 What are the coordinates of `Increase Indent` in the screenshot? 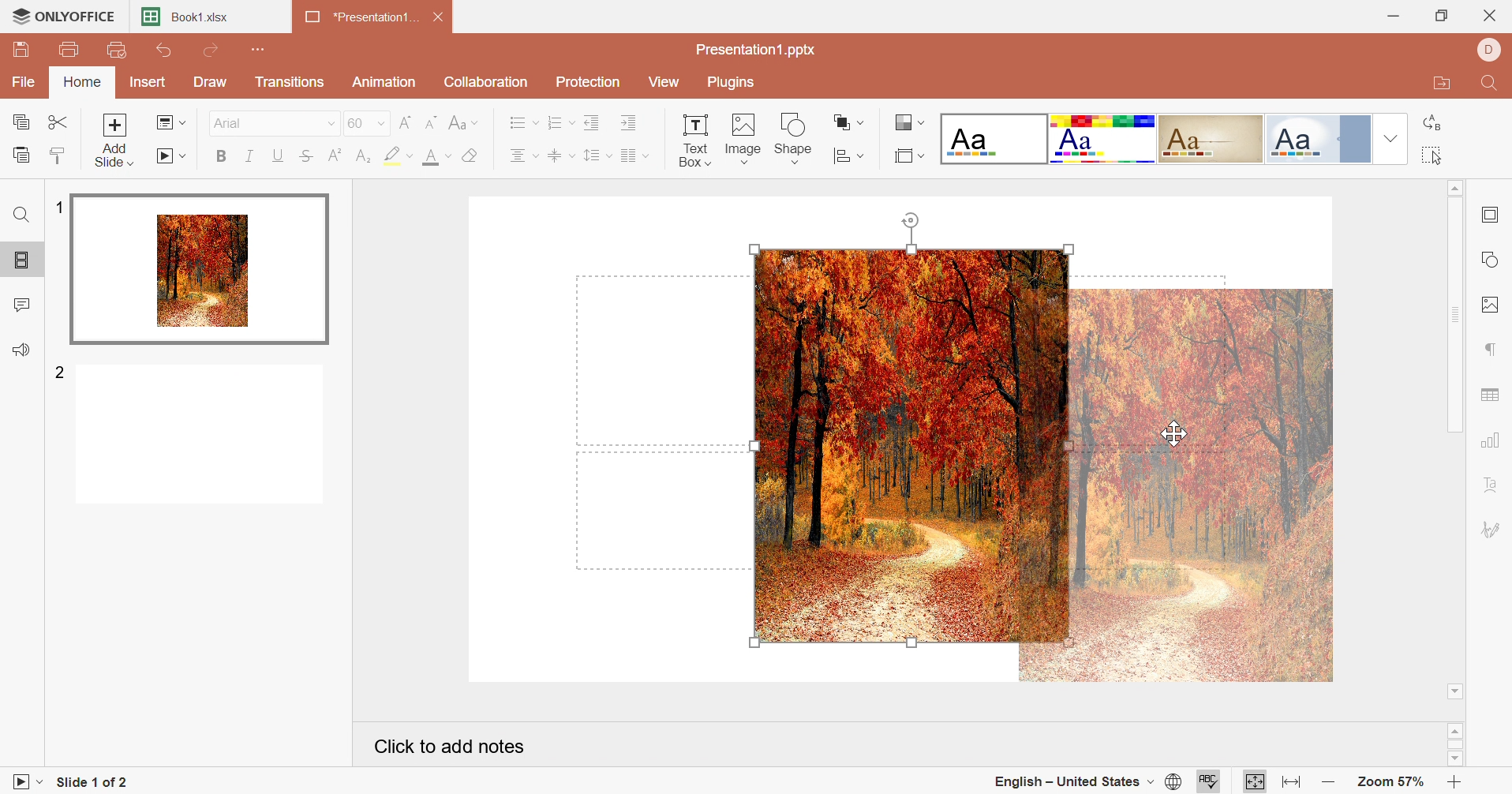 It's located at (628, 125).